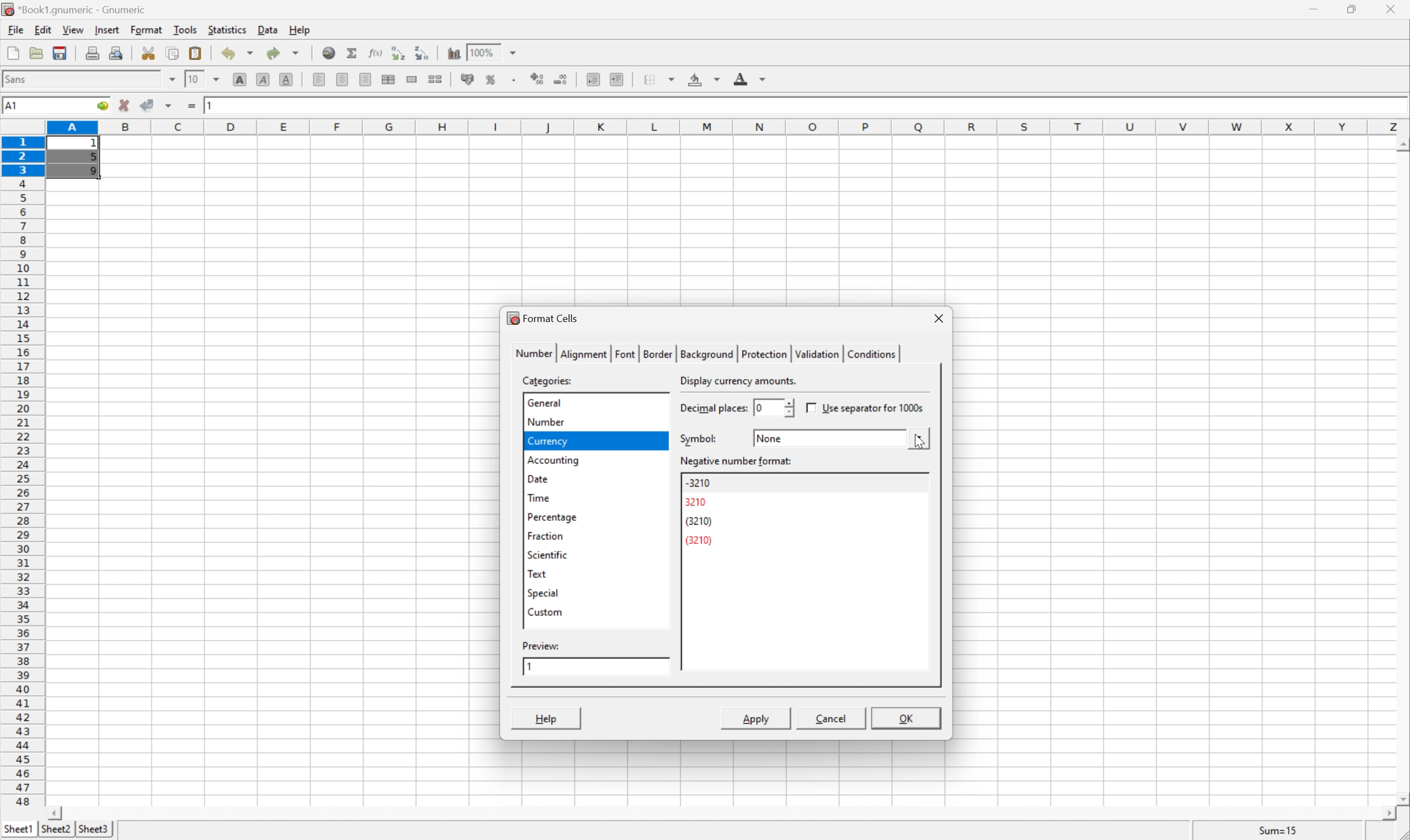  I want to click on drop down, so click(173, 79).